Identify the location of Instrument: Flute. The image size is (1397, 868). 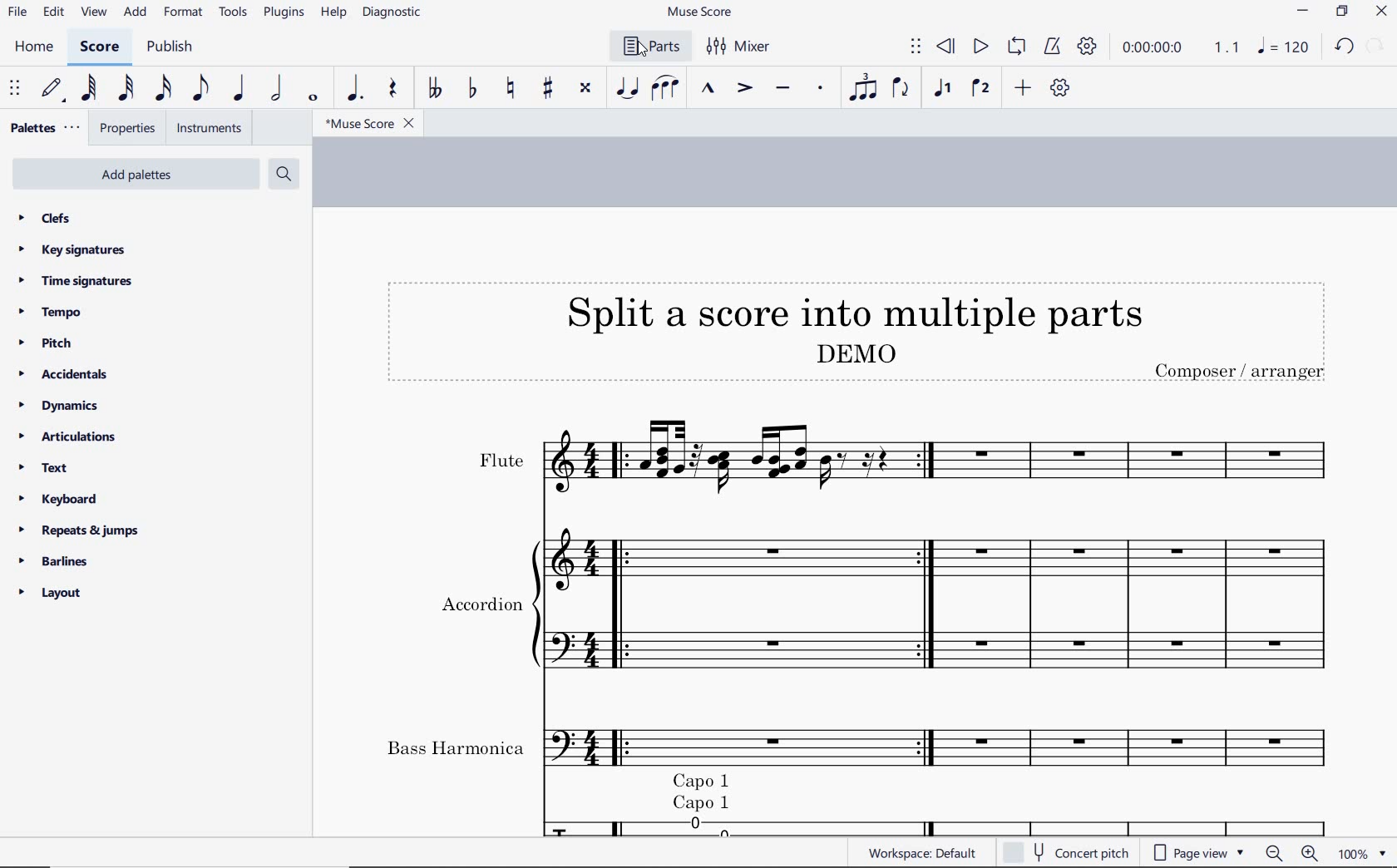
(838, 455).